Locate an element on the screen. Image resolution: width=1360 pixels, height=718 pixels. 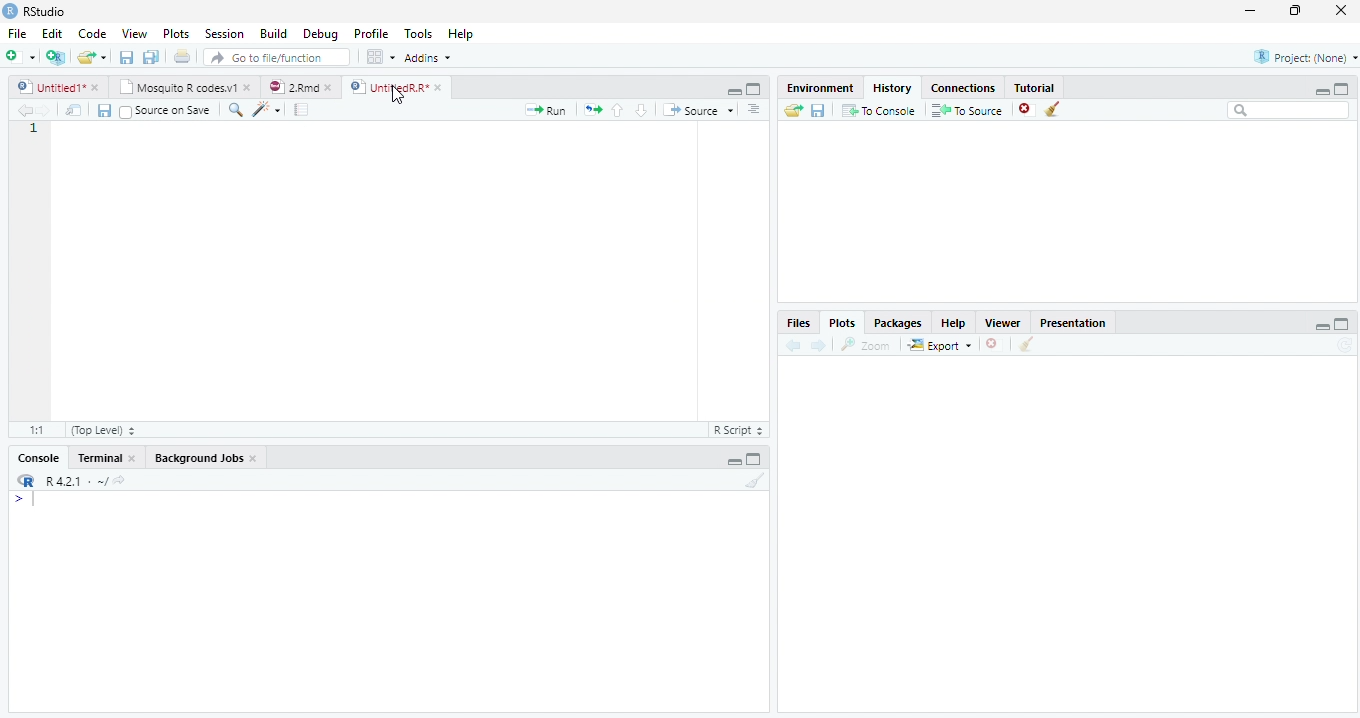
Save is located at coordinates (126, 58).